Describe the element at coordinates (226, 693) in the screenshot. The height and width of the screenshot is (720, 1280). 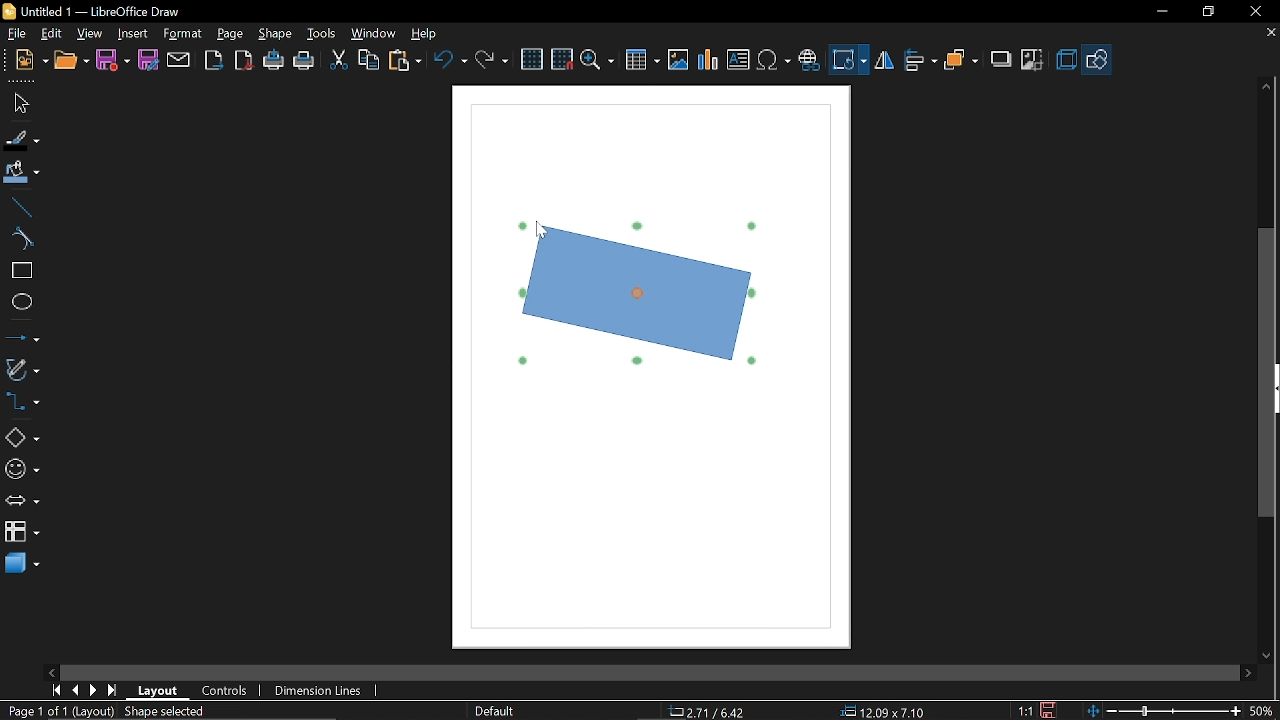
I see `controls` at that location.